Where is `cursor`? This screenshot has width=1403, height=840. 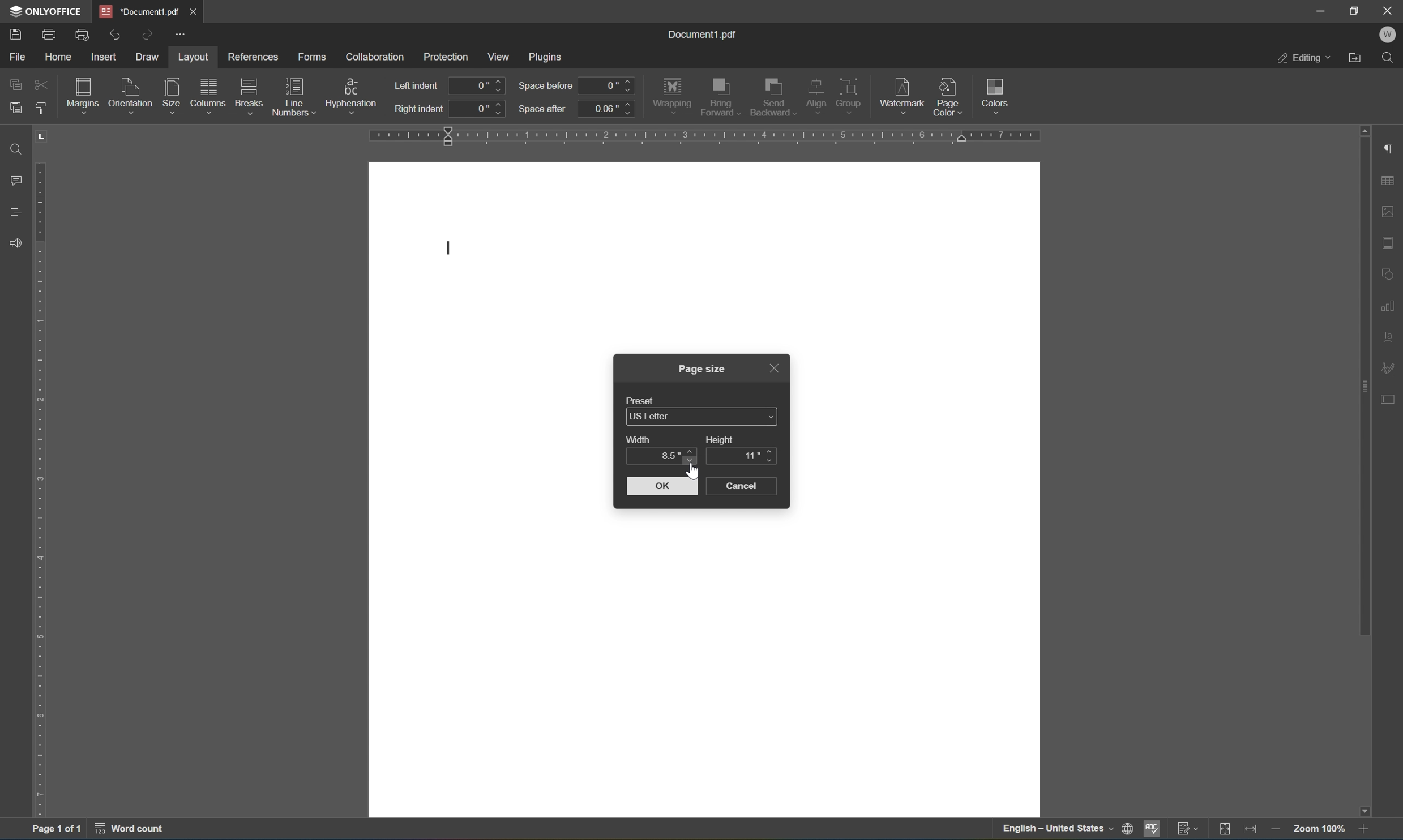
cursor is located at coordinates (694, 472).